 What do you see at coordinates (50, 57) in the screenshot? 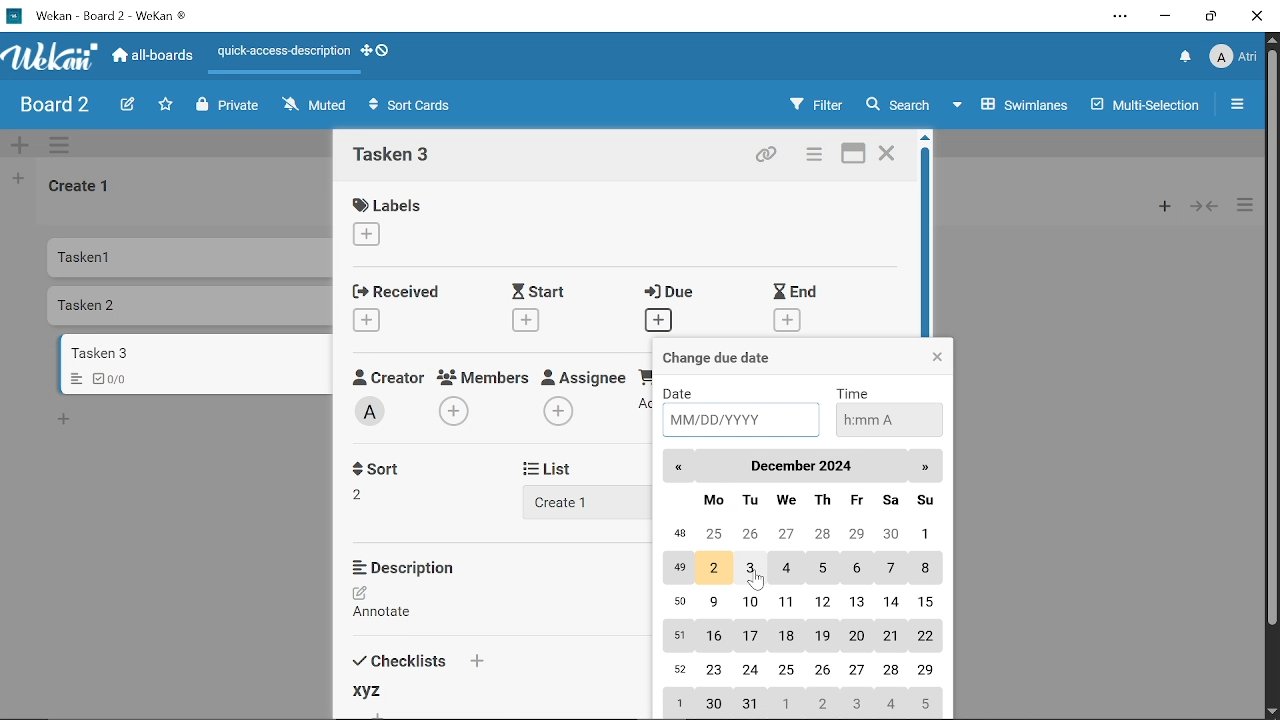
I see `Wekan logo` at bounding box center [50, 57].